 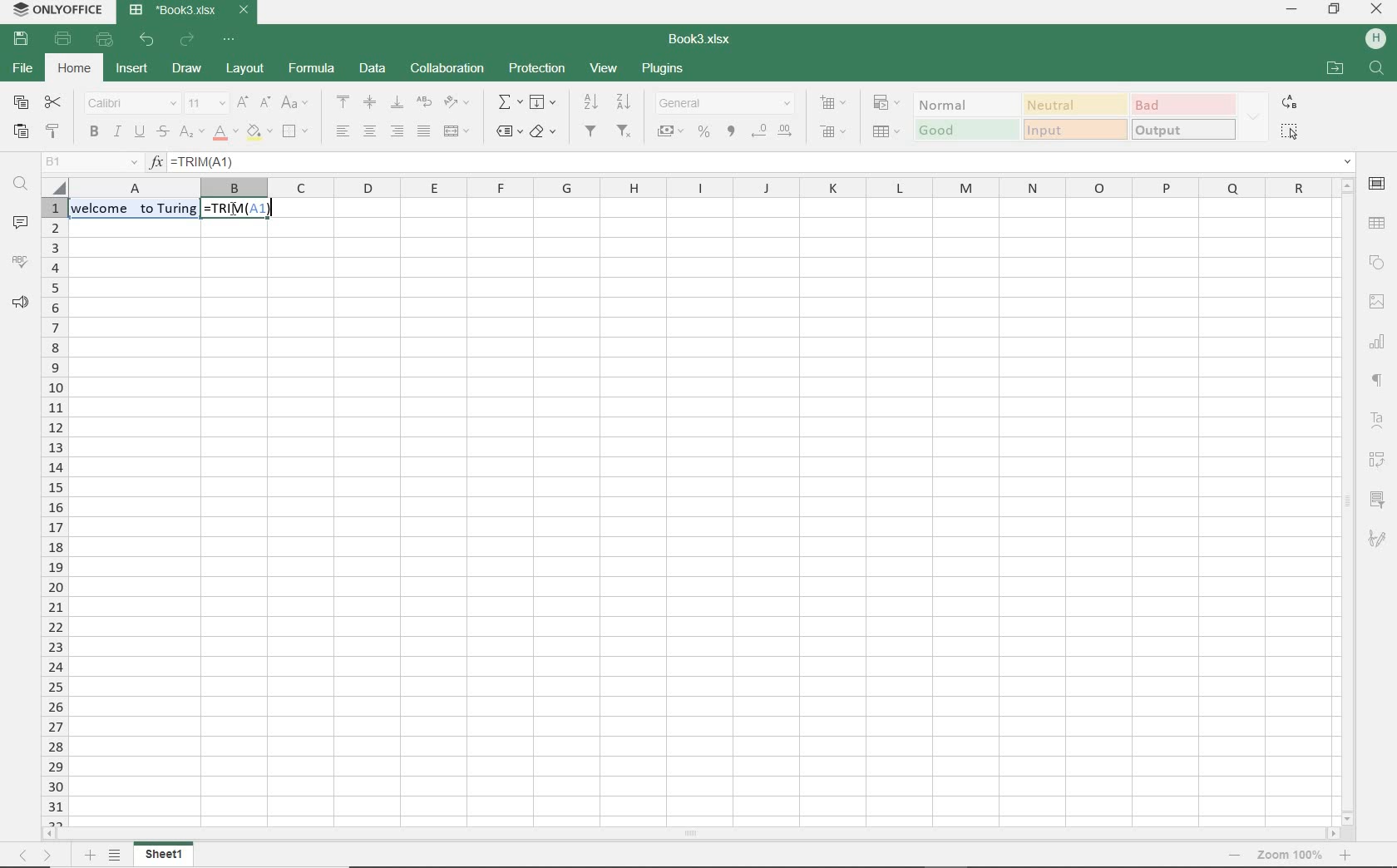 I want to click on orientation, so click(x=456, y=104).